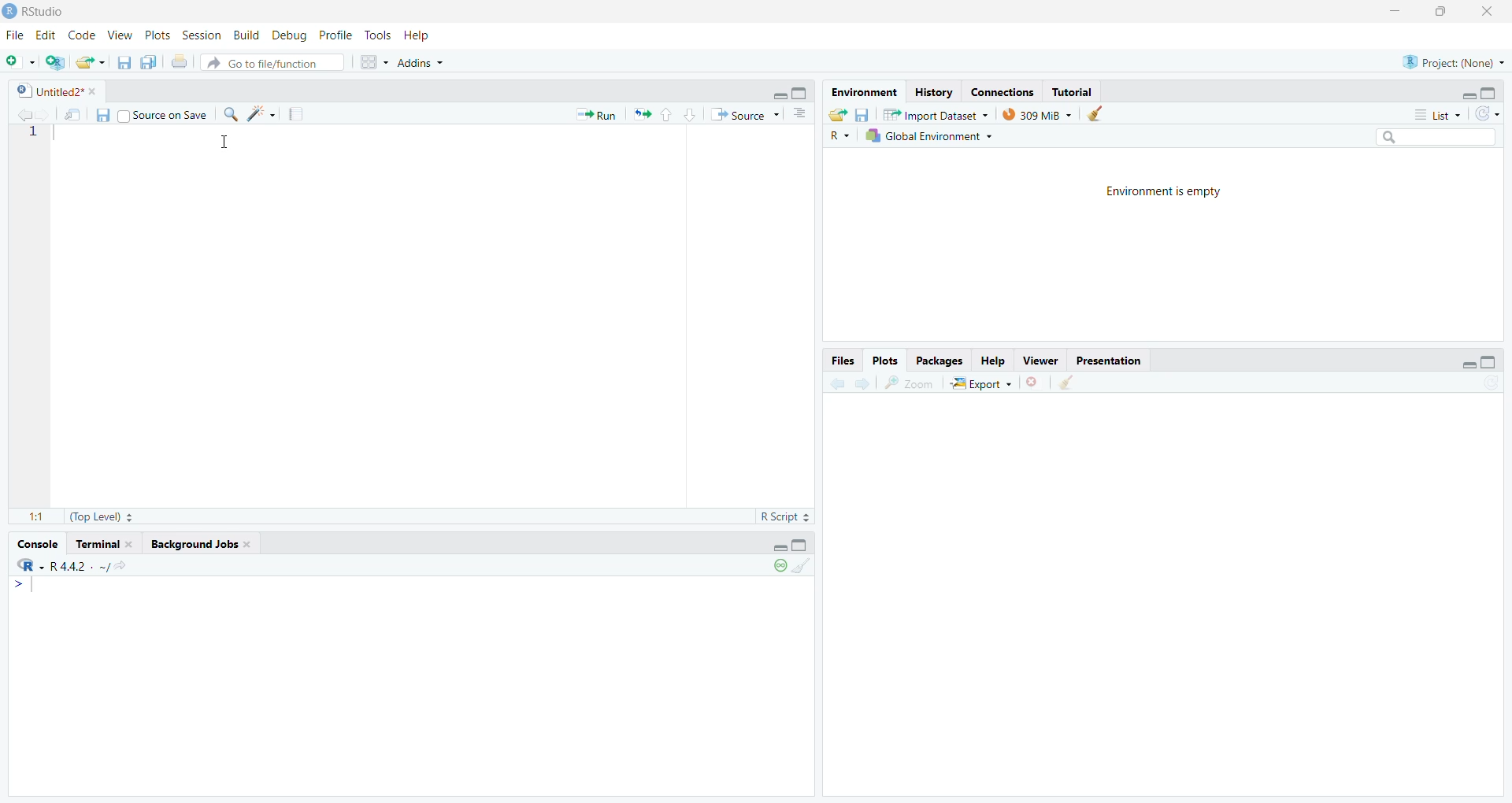 Image resolution: width=1512 pixels, height=803 pixels. What do you see at coordinates (146, 64) in the screenshot?
I see `copy` at bounding box center [146, 64].